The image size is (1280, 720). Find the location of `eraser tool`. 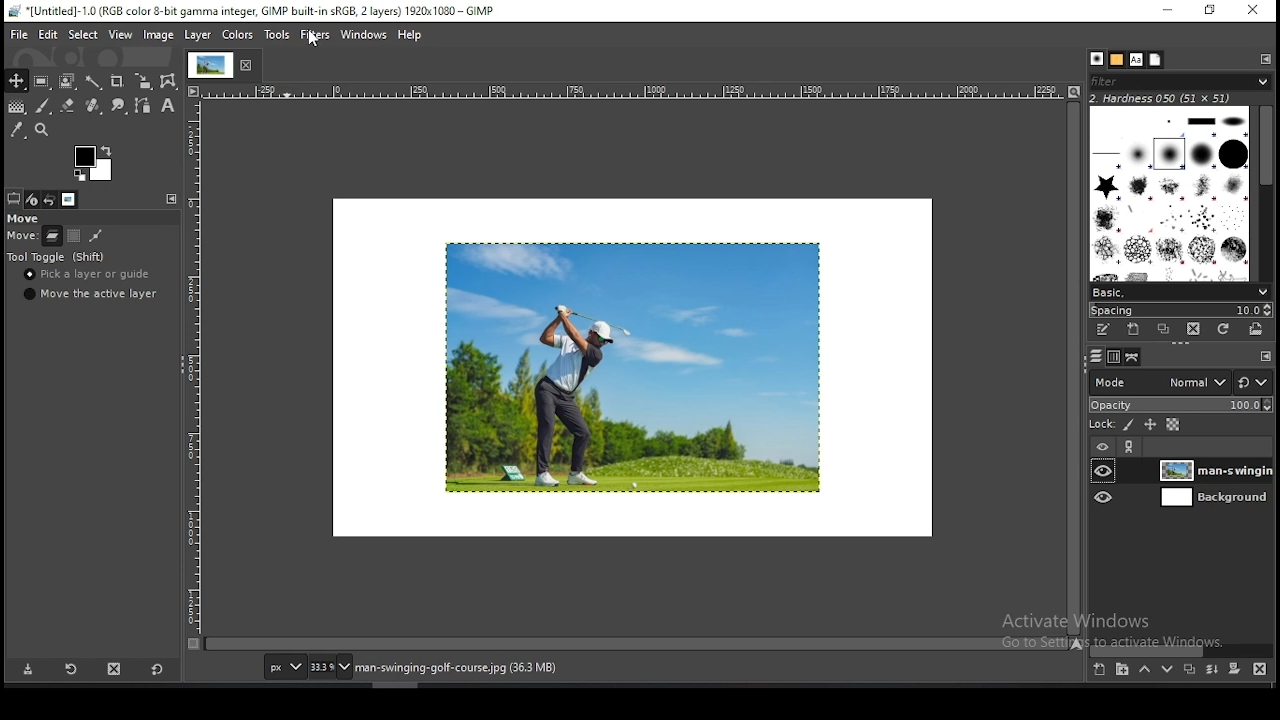

eraser tool is located at coordinates (68, 107).